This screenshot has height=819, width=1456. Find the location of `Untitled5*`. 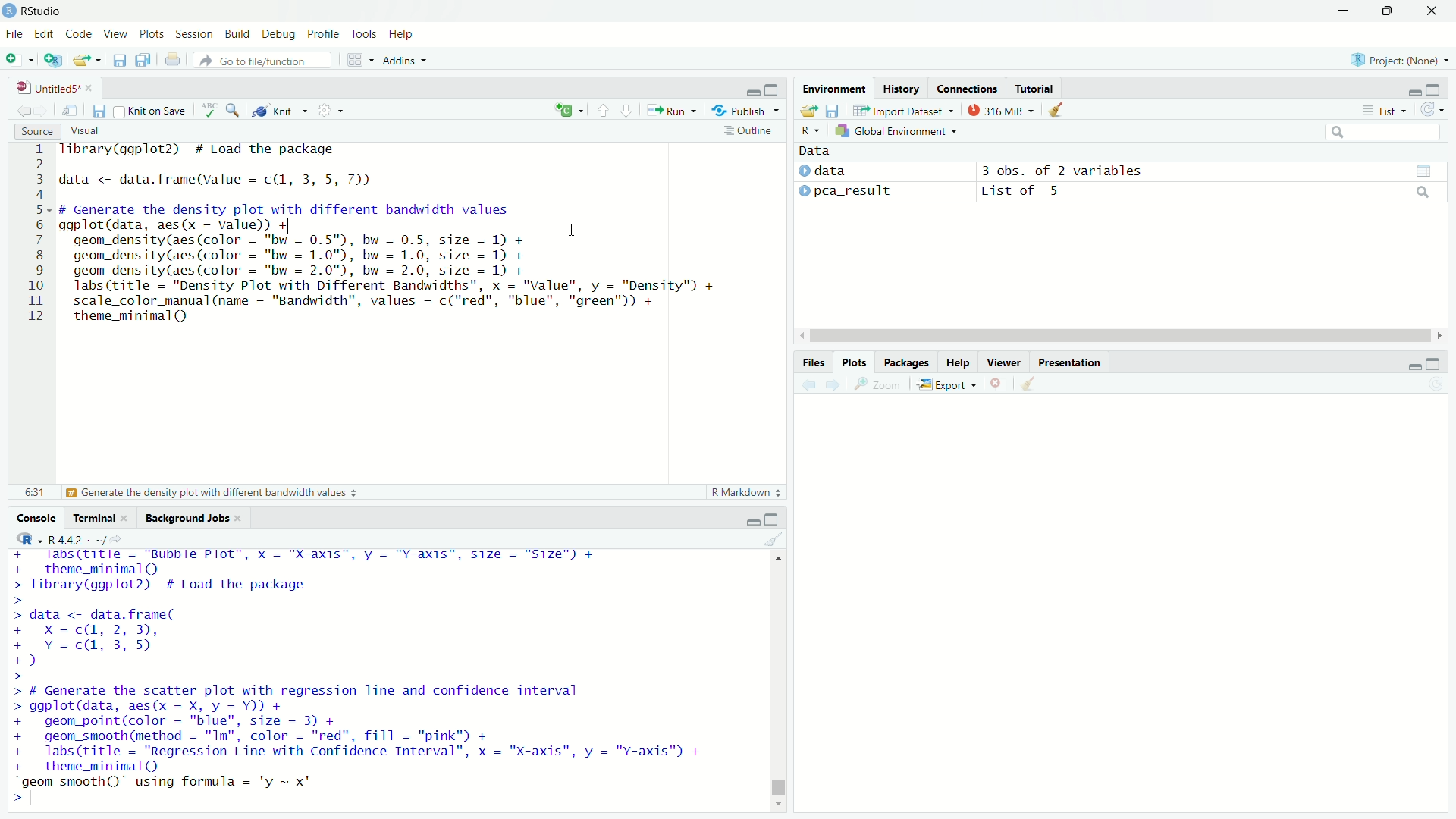

Untitled5* is located at coordinates (48, 87).